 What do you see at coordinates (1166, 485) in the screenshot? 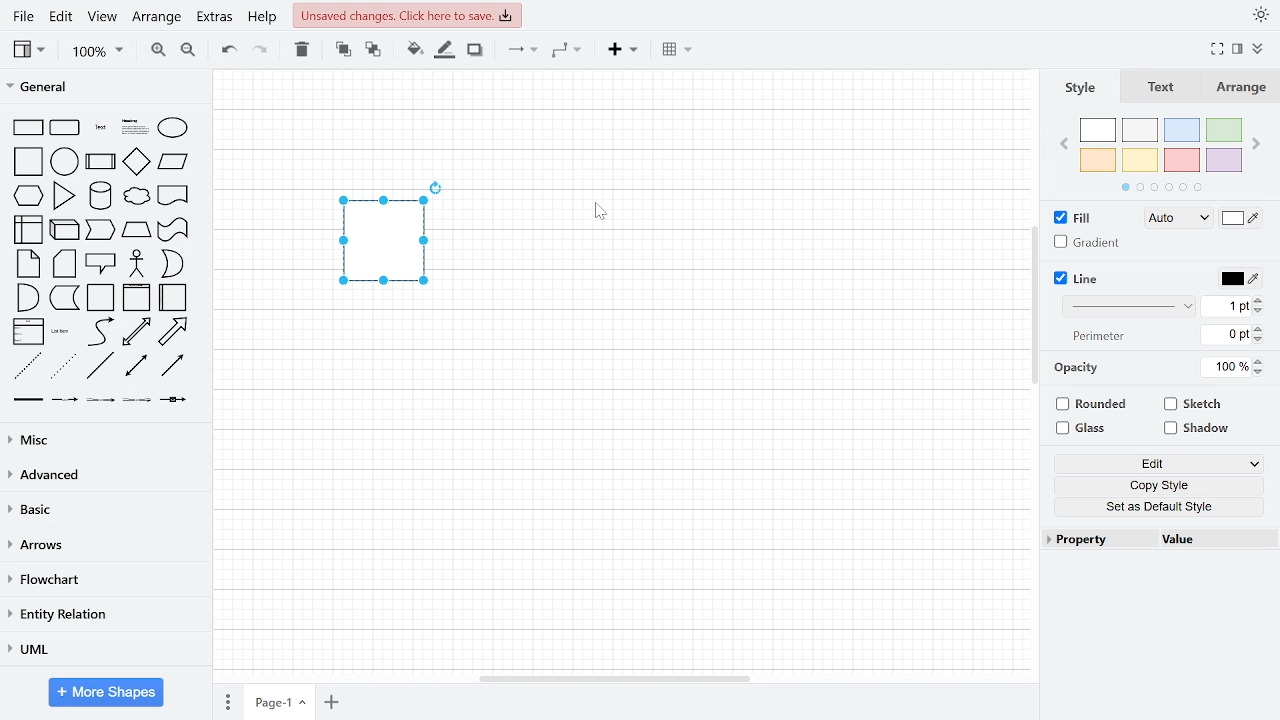
I see `copy style` at bounding box center [1166, 485].